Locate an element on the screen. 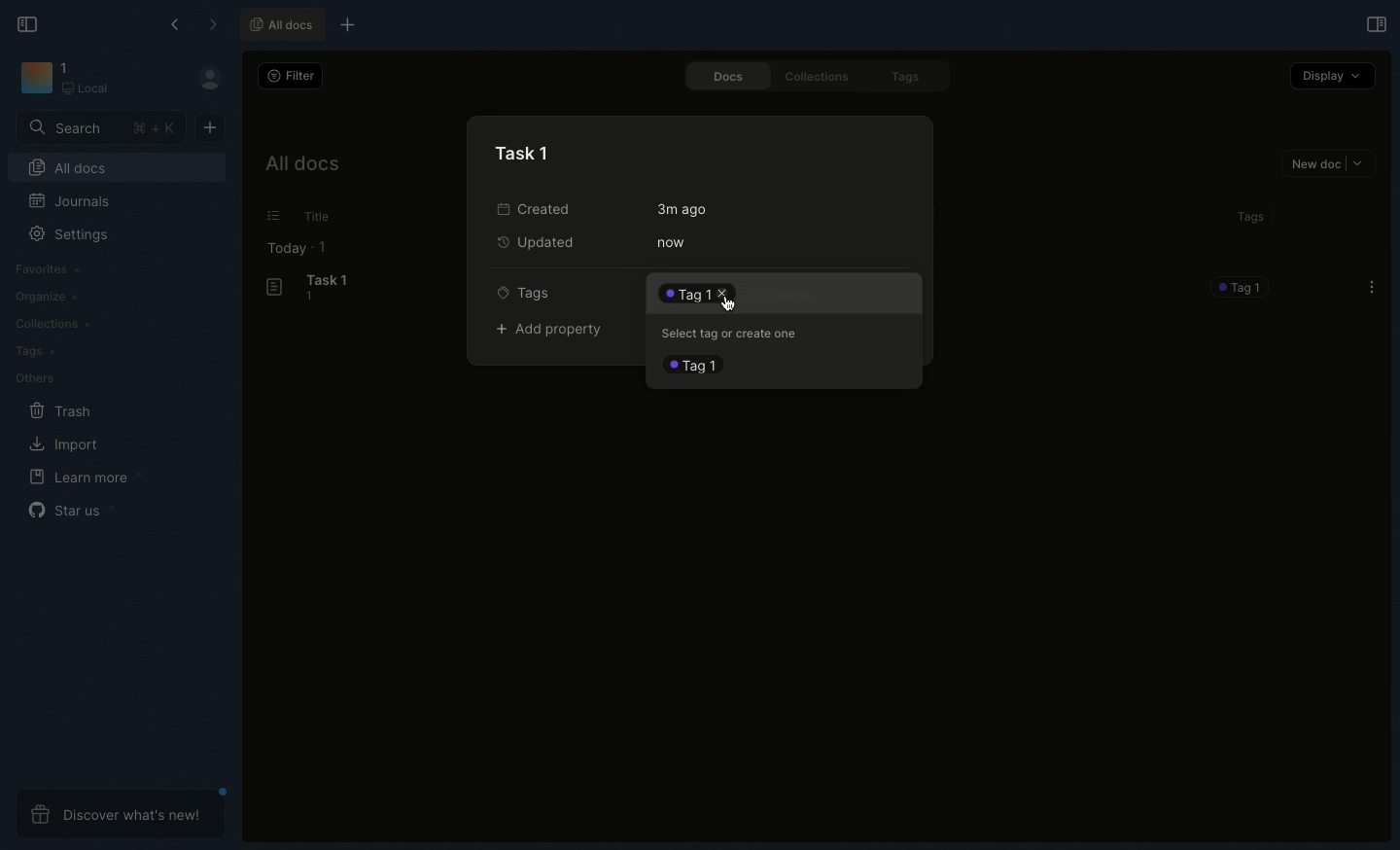 The image size is (1400, 850). Docs is located at coordinates (727, 76).